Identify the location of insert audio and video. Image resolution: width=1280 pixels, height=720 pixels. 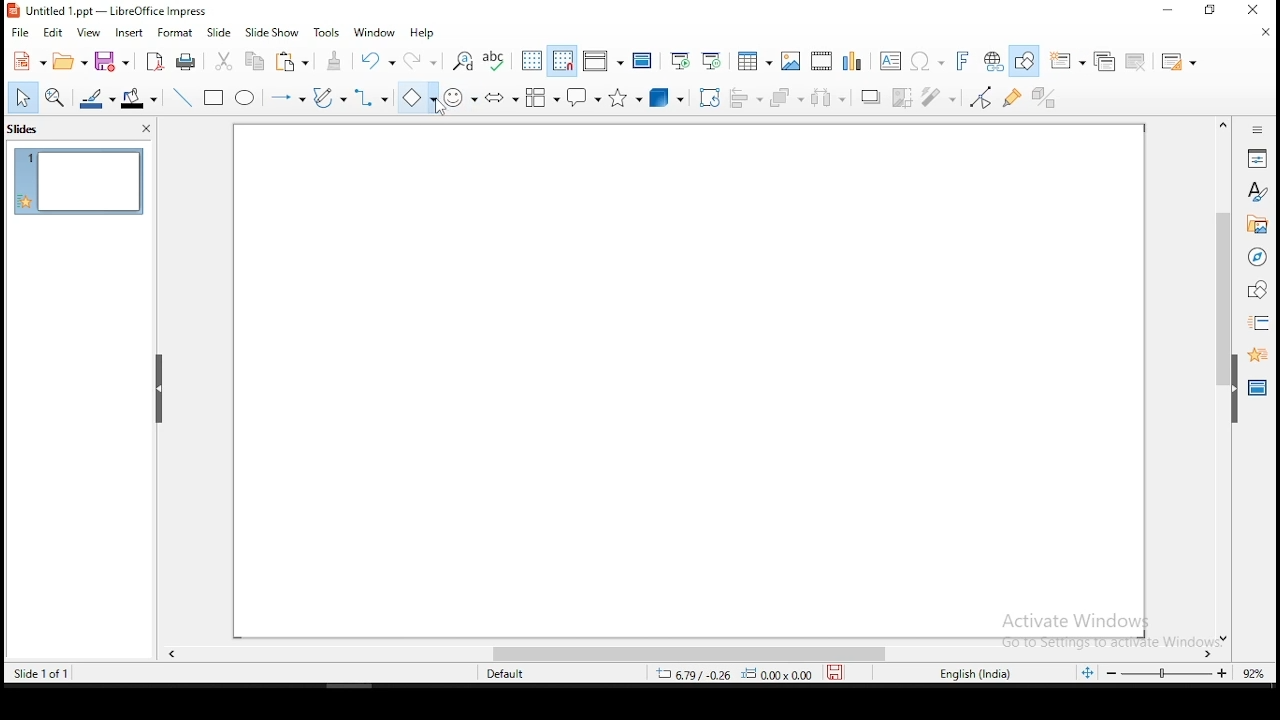
(821, 59).